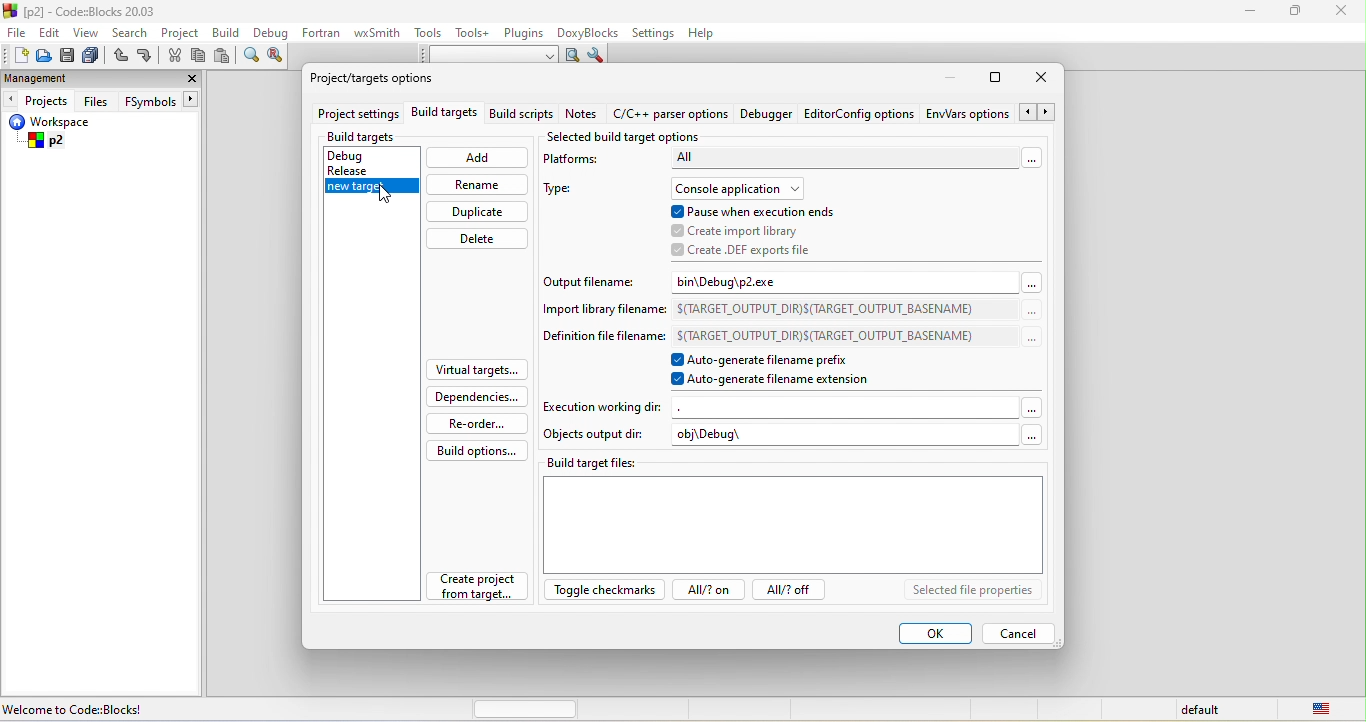  I want to click on cut, so click(175, 58).